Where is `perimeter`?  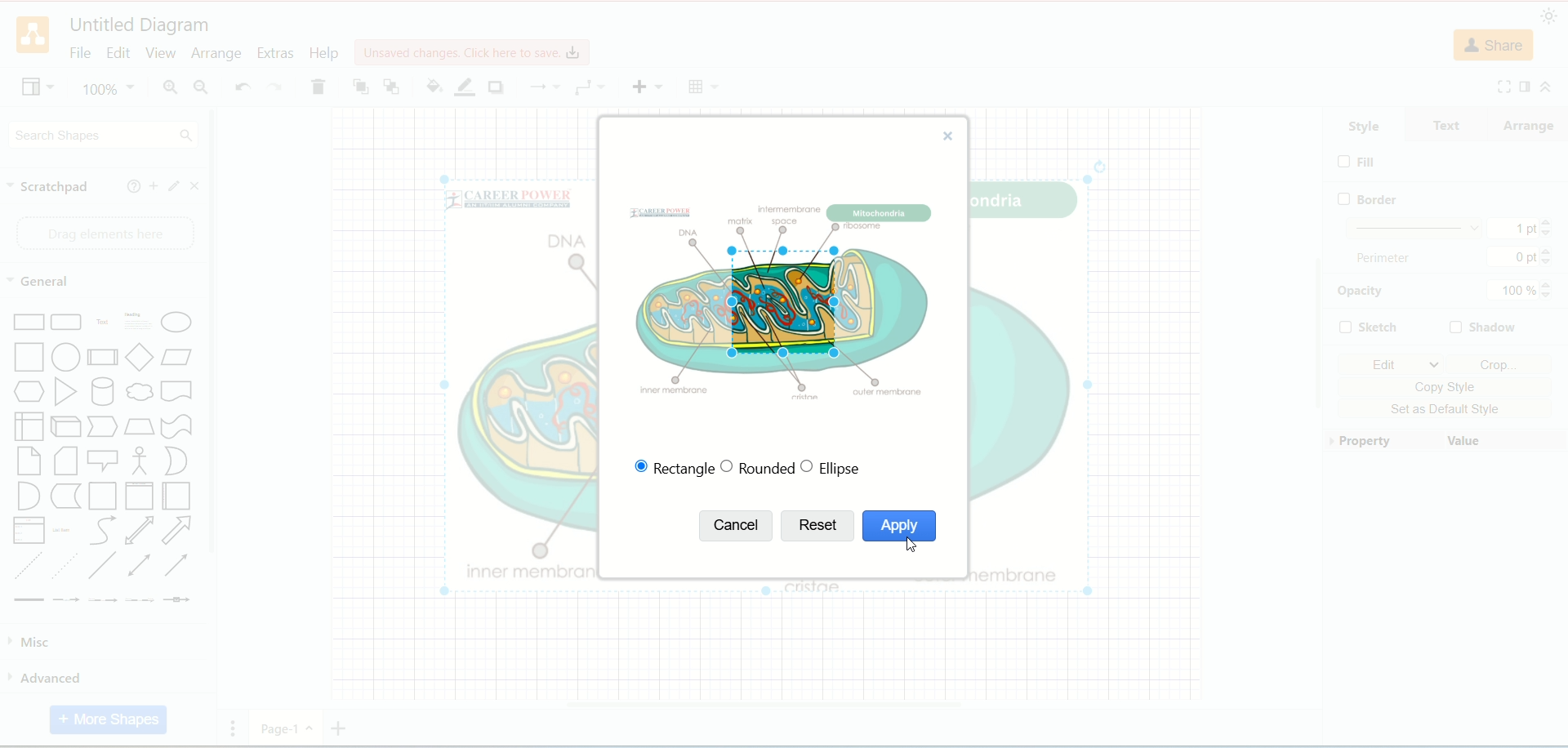
perimeter is located at coordinates (1389, 260).